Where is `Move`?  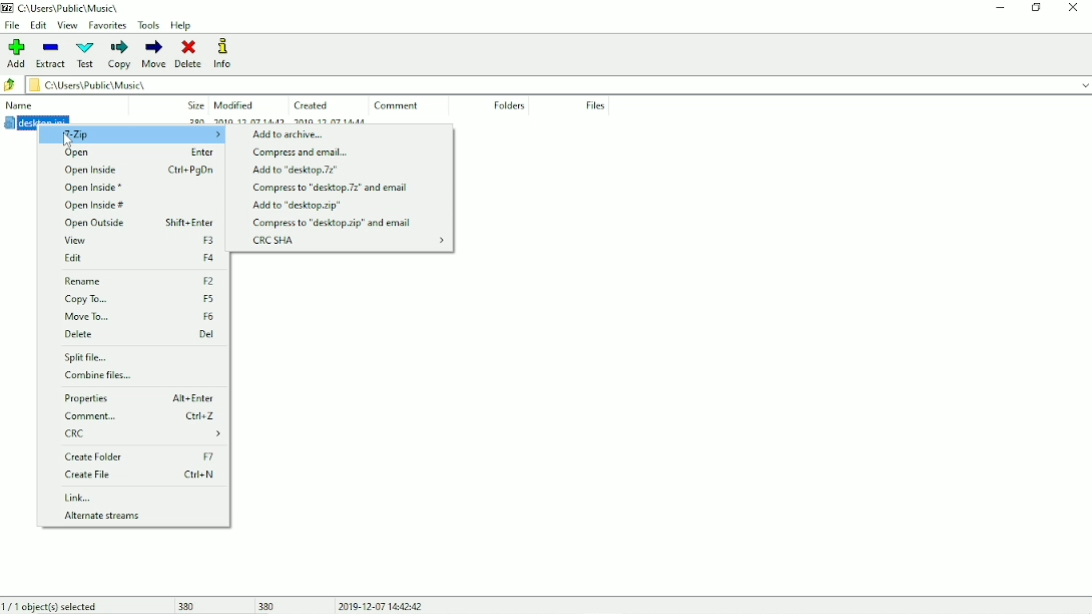
Move is located at coordinates (155, 54).